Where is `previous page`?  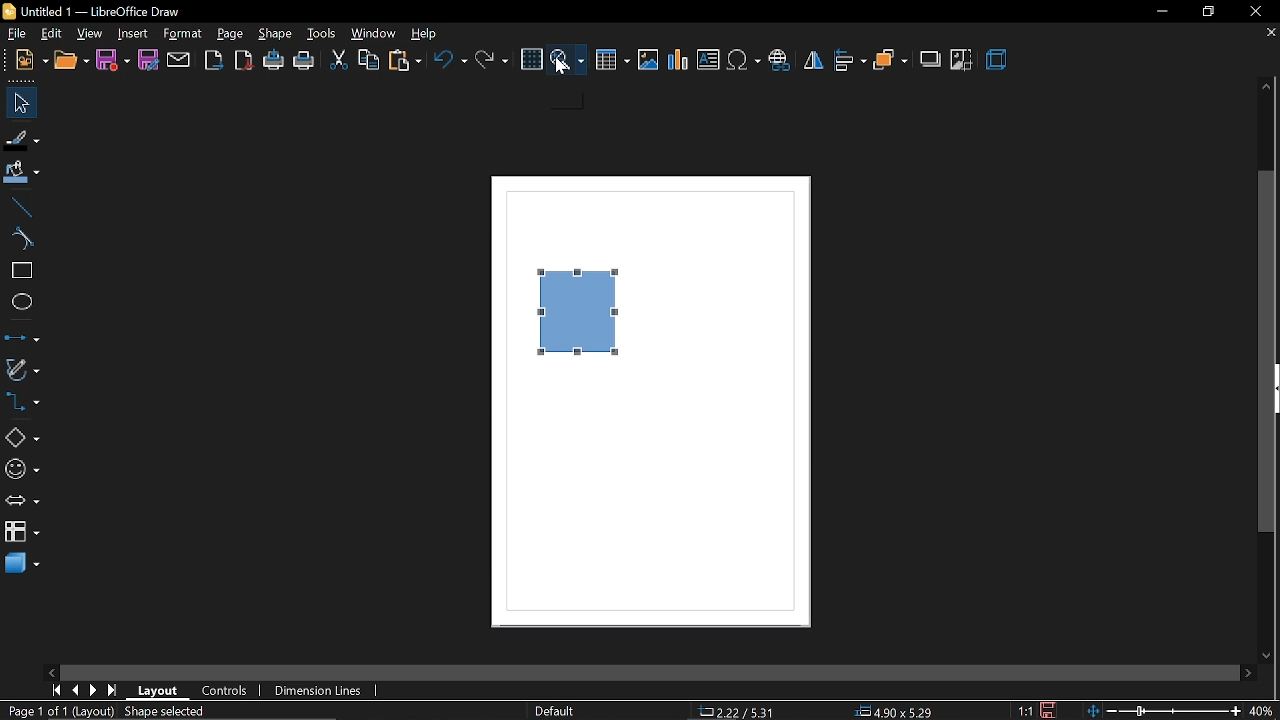 previous page is located at coordinates (76, 689).